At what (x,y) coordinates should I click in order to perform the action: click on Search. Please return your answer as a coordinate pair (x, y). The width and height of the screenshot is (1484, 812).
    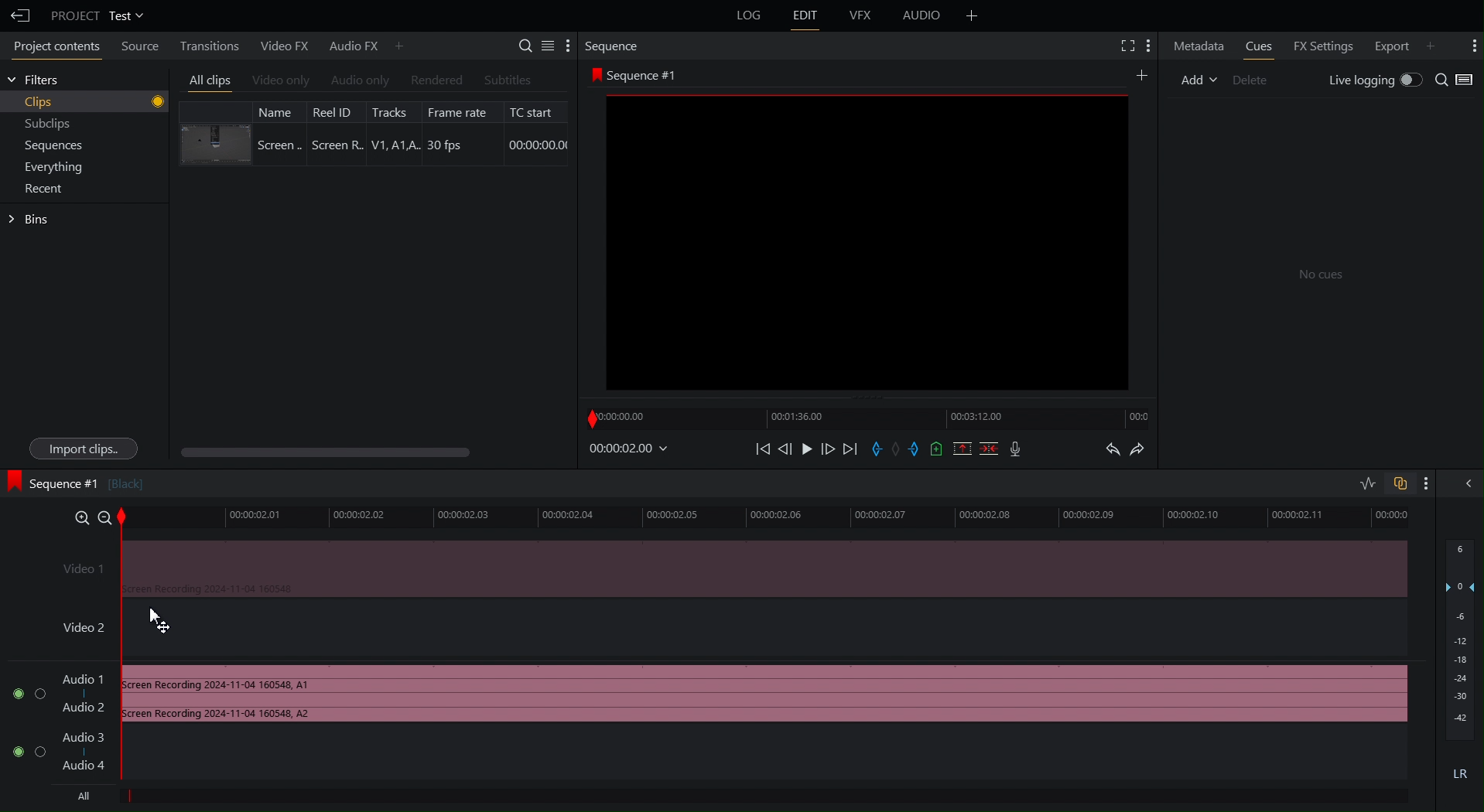
    Looking at the image, I should click on (1457, 80).